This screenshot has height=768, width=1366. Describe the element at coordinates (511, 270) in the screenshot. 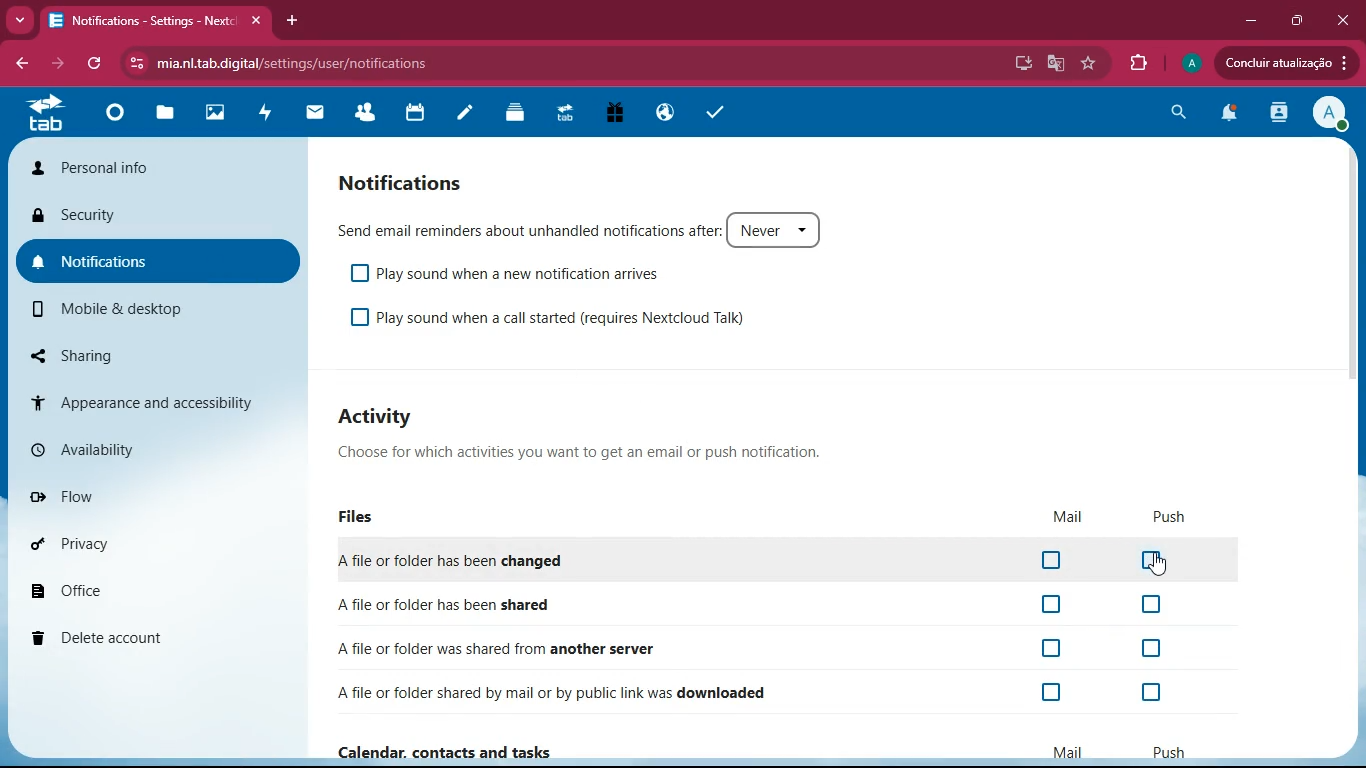

I see `play sound` at that location.